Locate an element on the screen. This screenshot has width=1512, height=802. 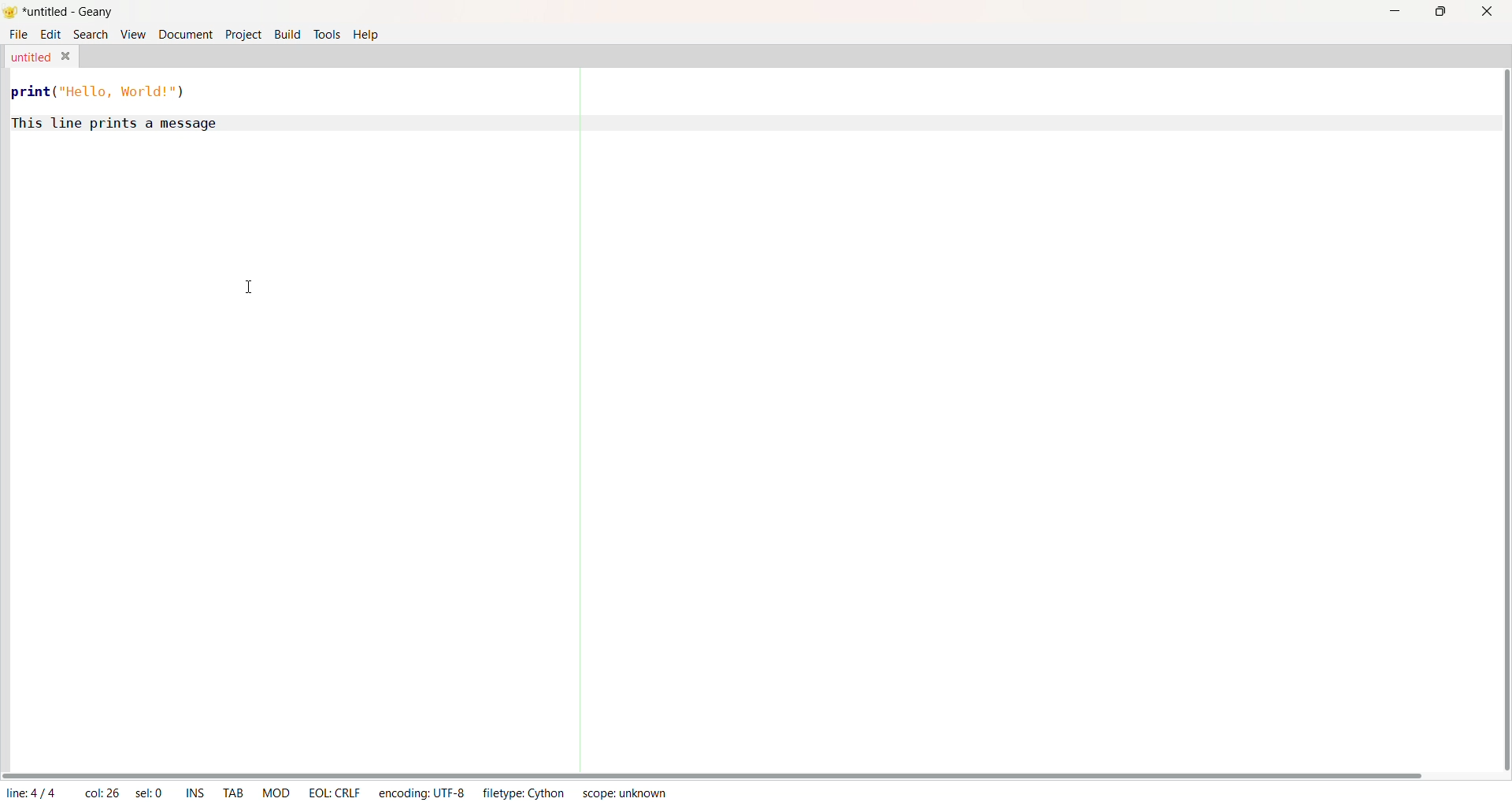
Maximize is located at coordinates (1441, 12).